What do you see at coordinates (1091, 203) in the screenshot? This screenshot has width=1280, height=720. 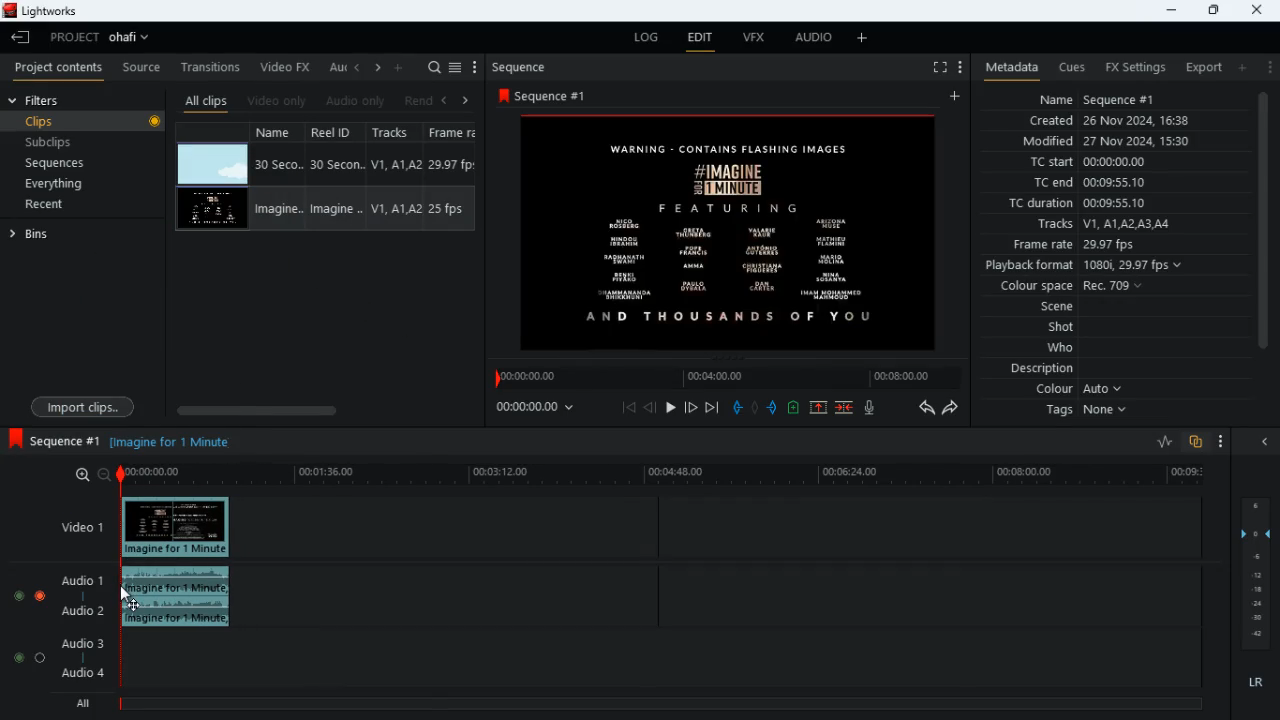 I see `tc duration` at bounding box center [1091, 203].